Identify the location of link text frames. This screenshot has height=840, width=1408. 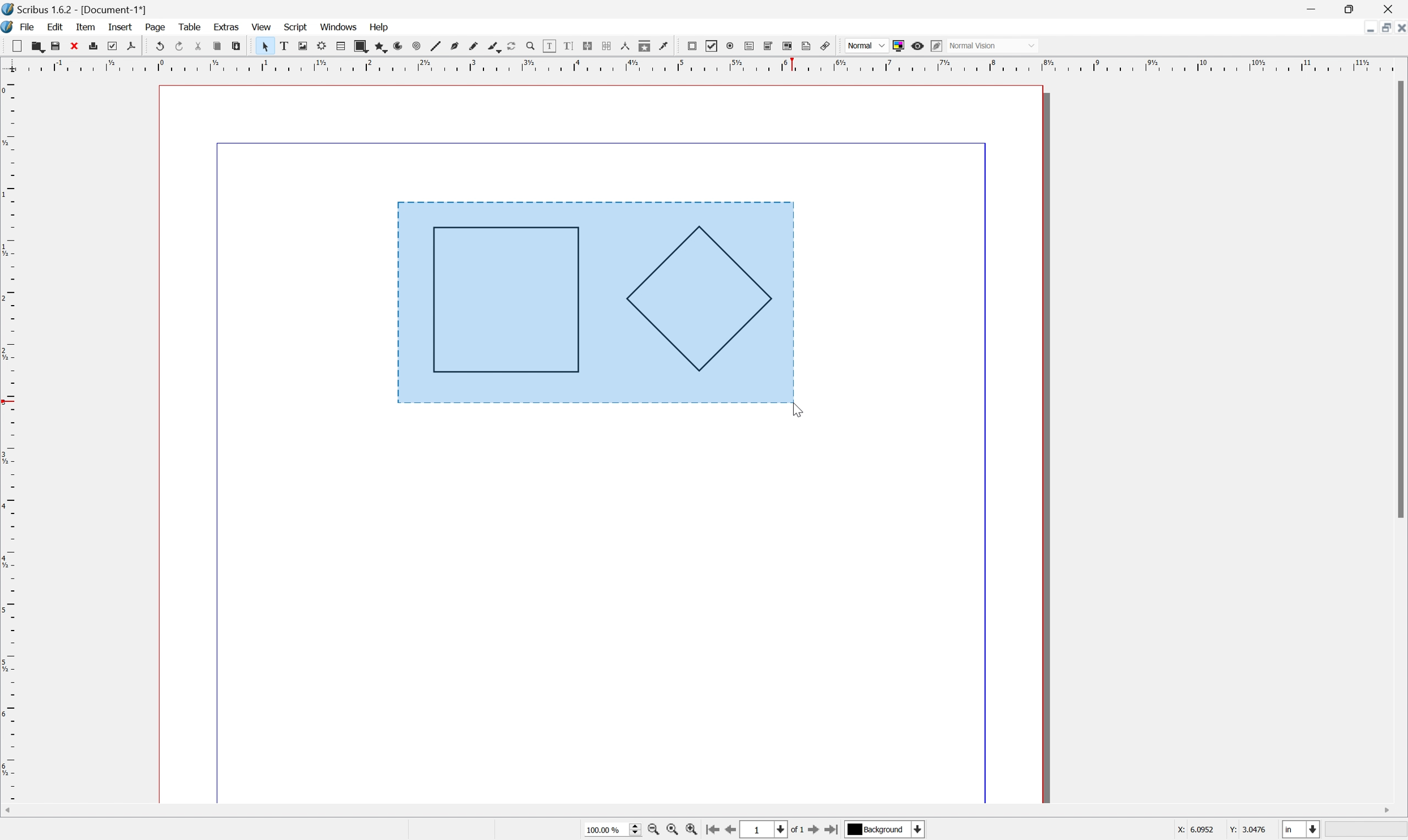
(587, 46).